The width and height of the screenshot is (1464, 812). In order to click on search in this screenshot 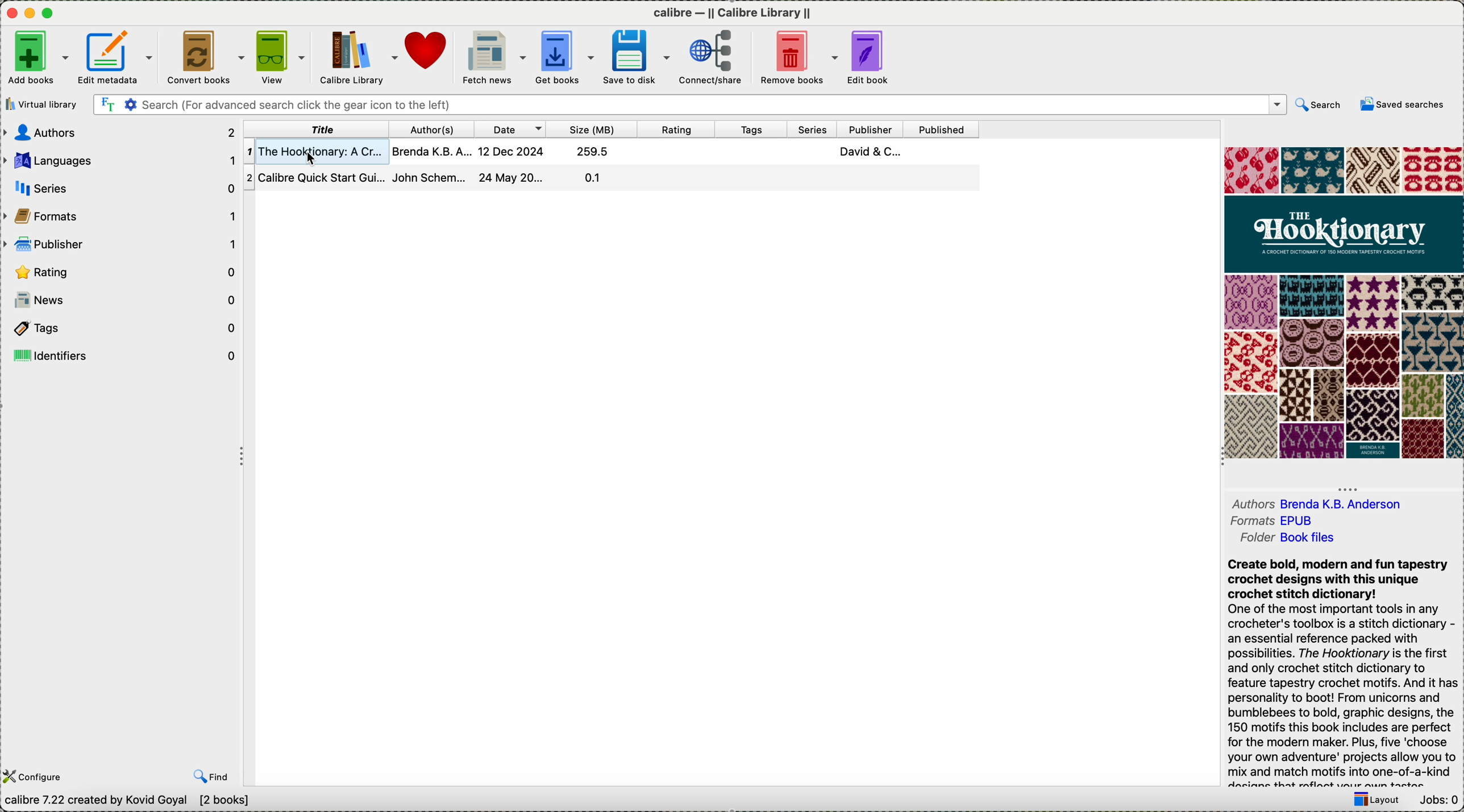, I will do `click(1319, 105)`.